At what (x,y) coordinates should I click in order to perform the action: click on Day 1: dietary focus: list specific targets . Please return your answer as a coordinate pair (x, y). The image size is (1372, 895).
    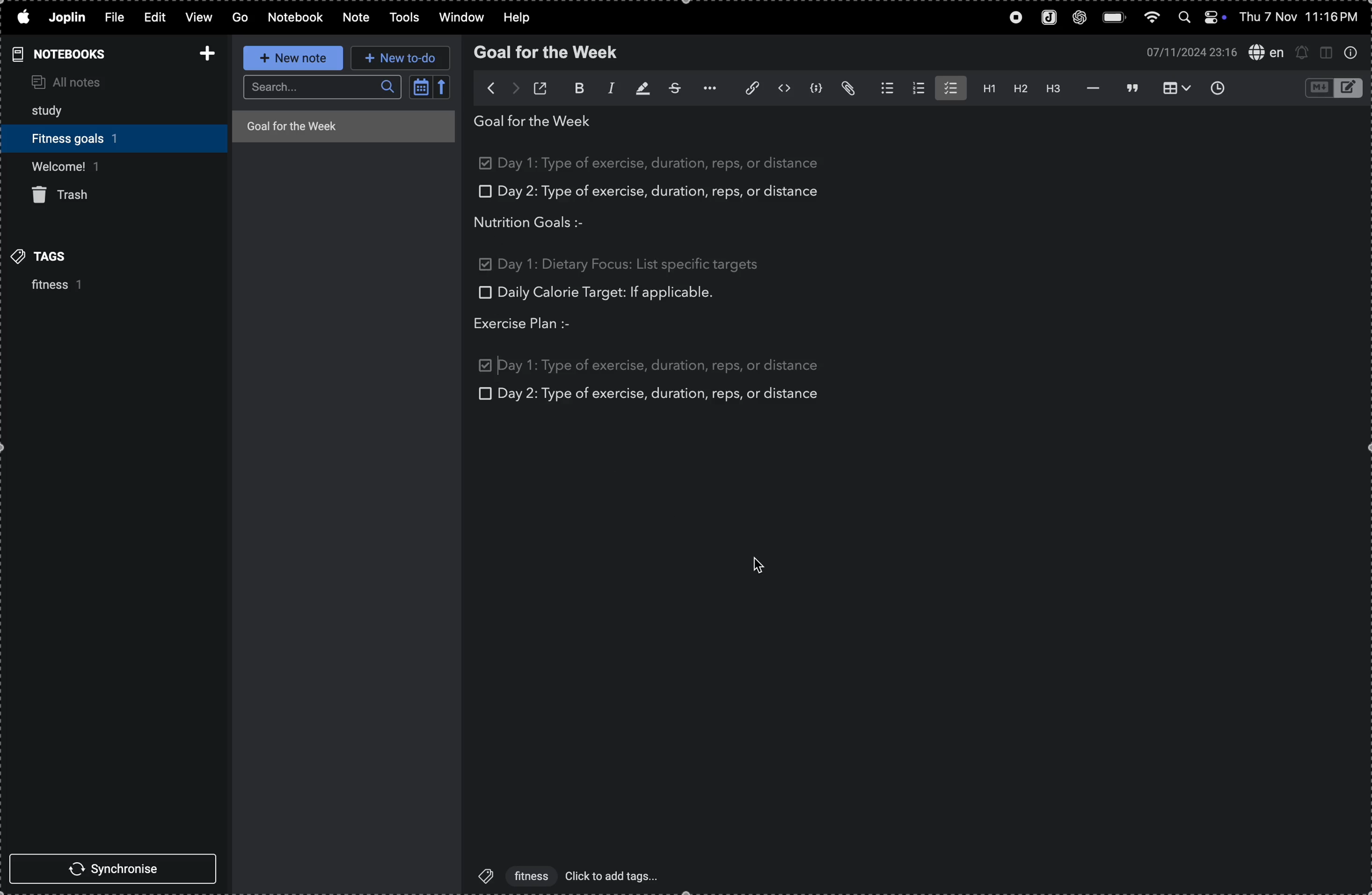
    Looking at the image, I should click on (630, 263).